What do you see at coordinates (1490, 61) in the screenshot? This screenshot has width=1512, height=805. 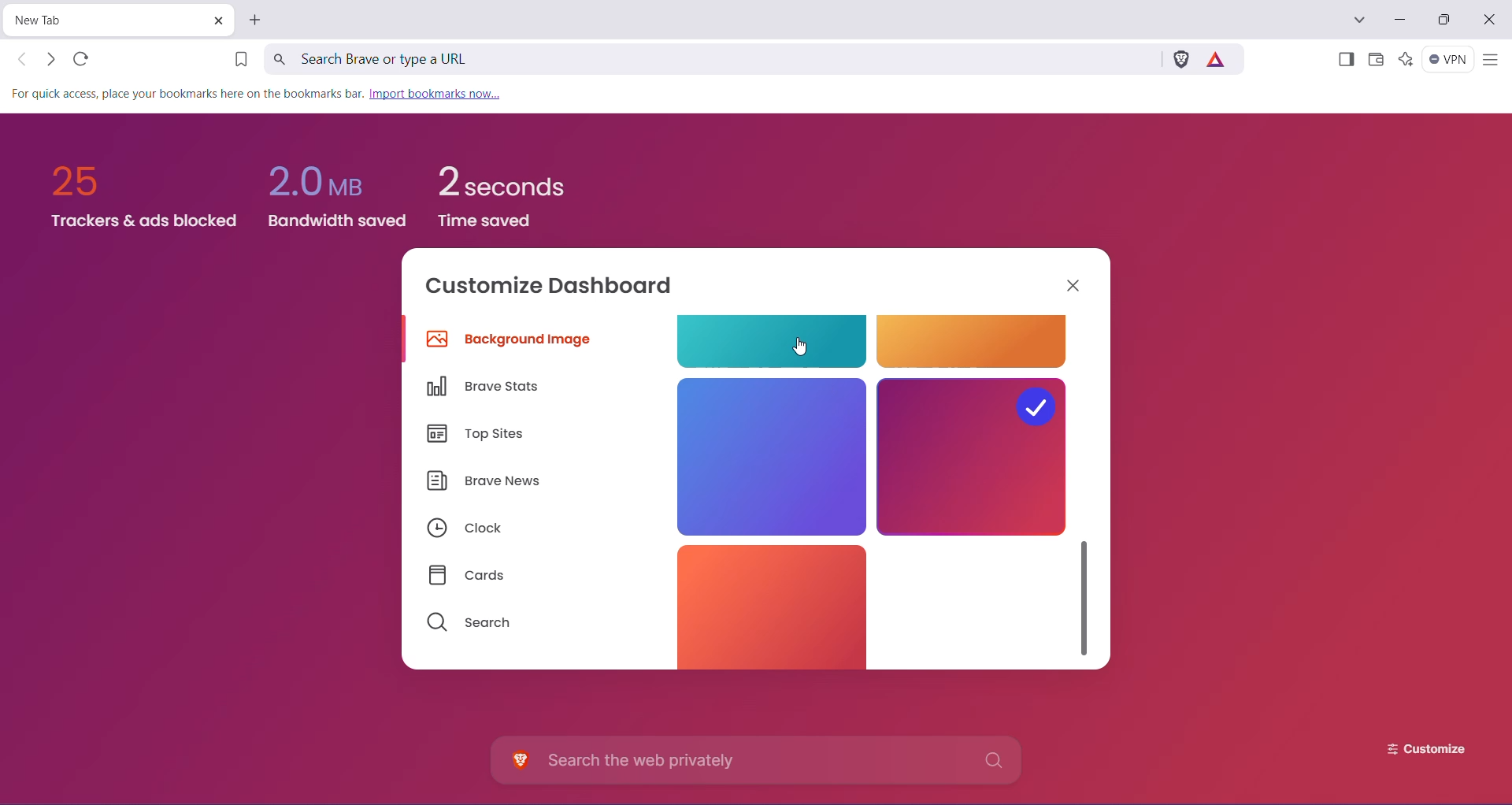 I see `Customize and control Brave` at bounding box center [1490, 61].